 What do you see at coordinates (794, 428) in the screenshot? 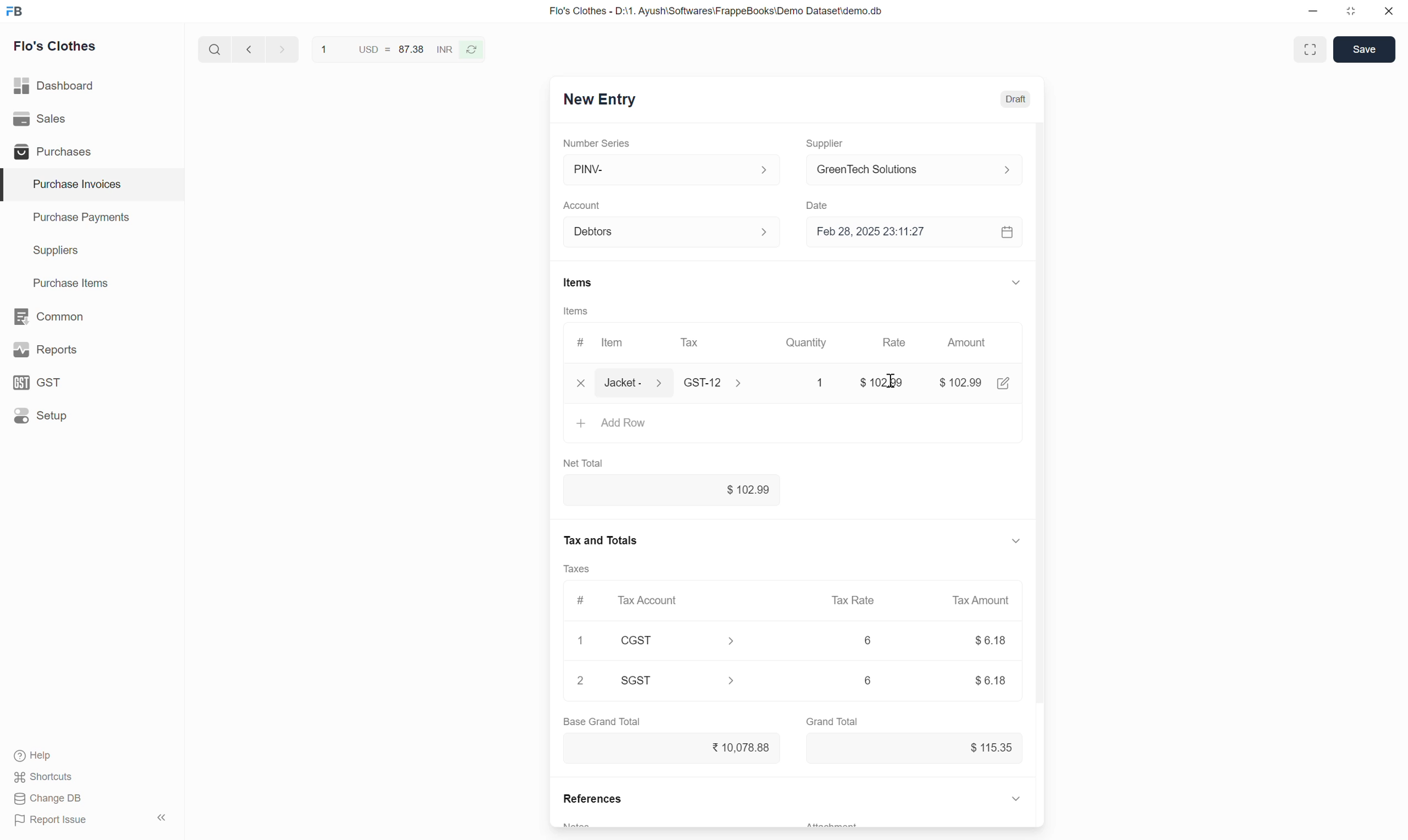
I see `Add Row` at bounding box center [794, 428].